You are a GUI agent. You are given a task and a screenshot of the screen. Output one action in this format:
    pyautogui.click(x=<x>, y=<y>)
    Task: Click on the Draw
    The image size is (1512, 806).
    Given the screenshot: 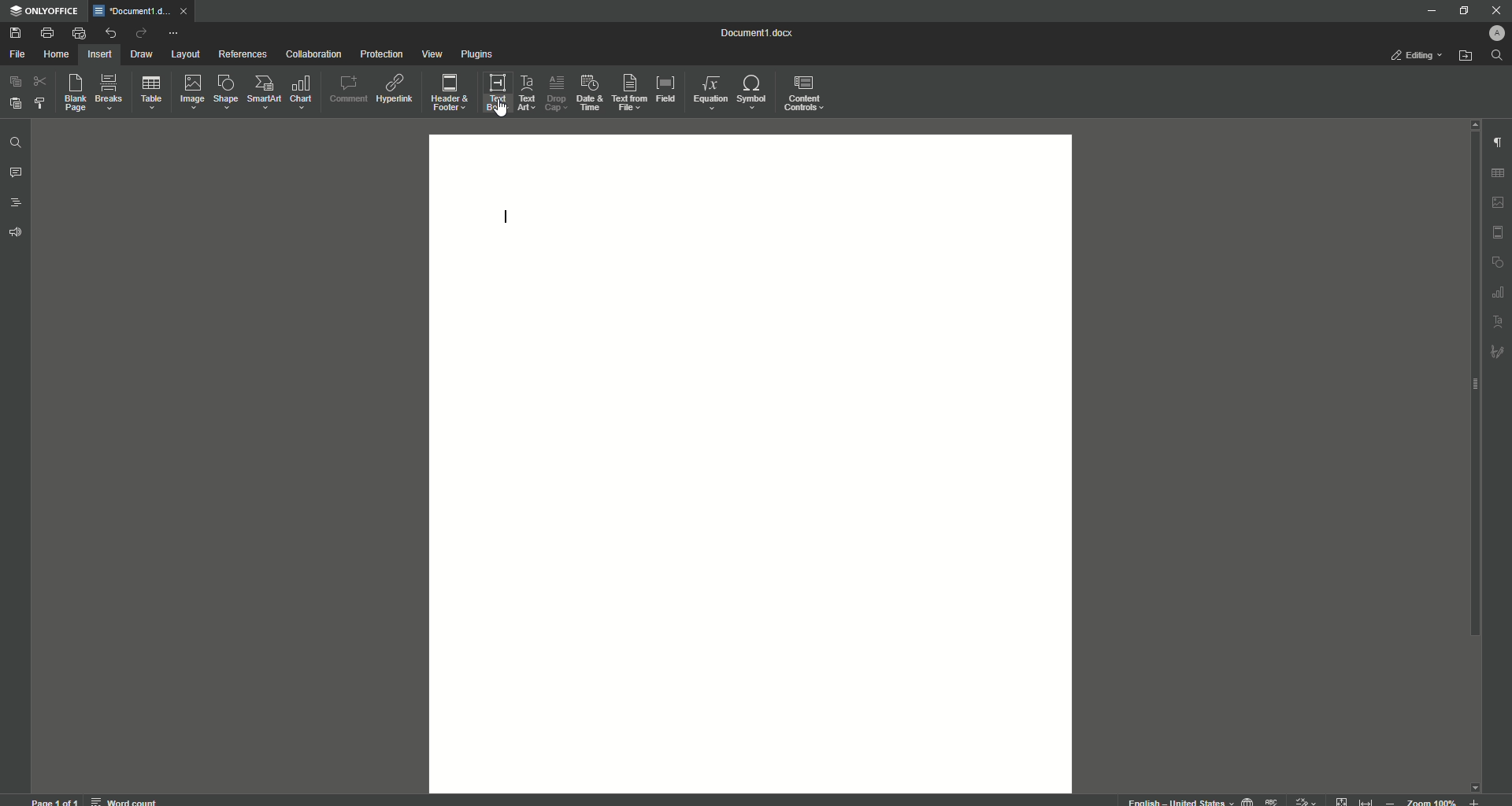 What is the action you would take?
    pyautogui.click(x=143, y=55)
    